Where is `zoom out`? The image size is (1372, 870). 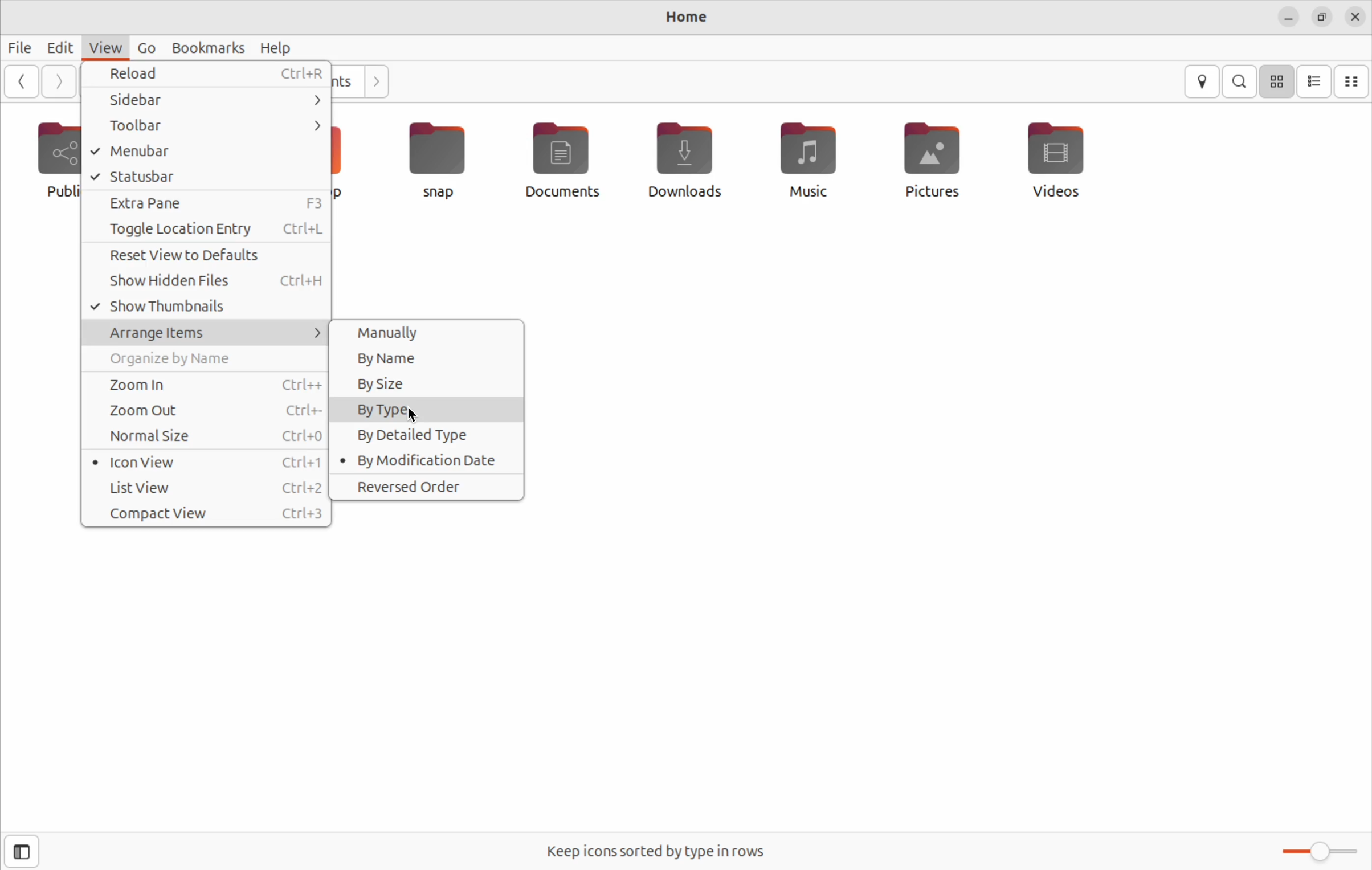 zoom out is located at coordinates (205, 411).